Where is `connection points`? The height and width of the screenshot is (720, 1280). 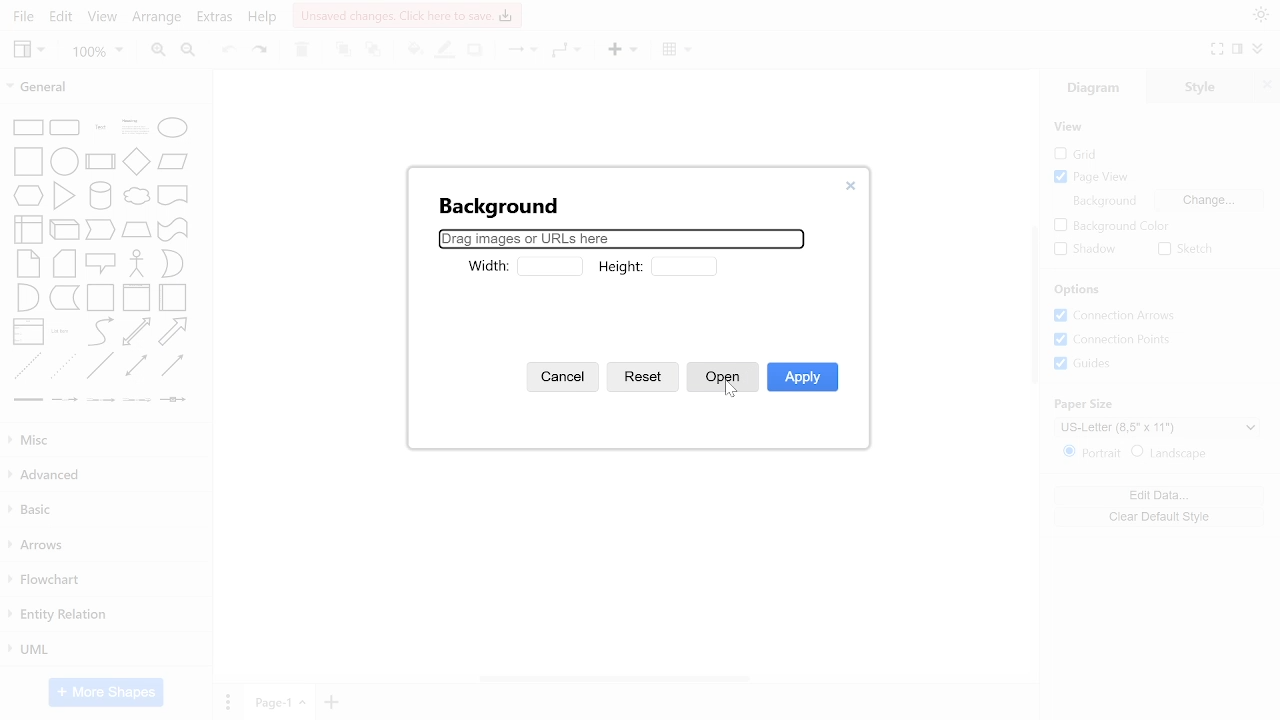 connection points is located at coordinates (1120, 340).